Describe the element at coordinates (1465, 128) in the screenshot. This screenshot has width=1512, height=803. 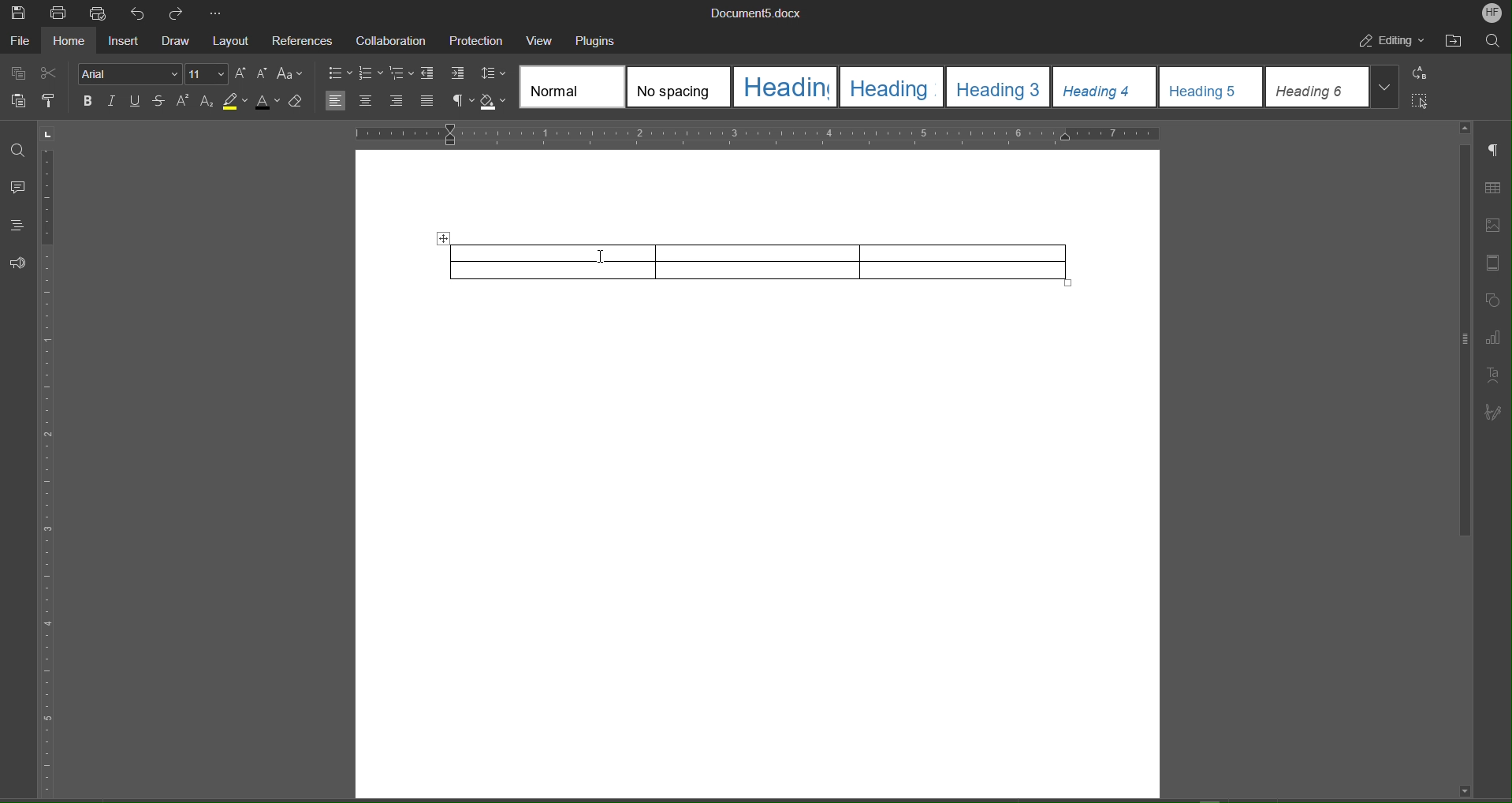
I see `scroll up` at that location.